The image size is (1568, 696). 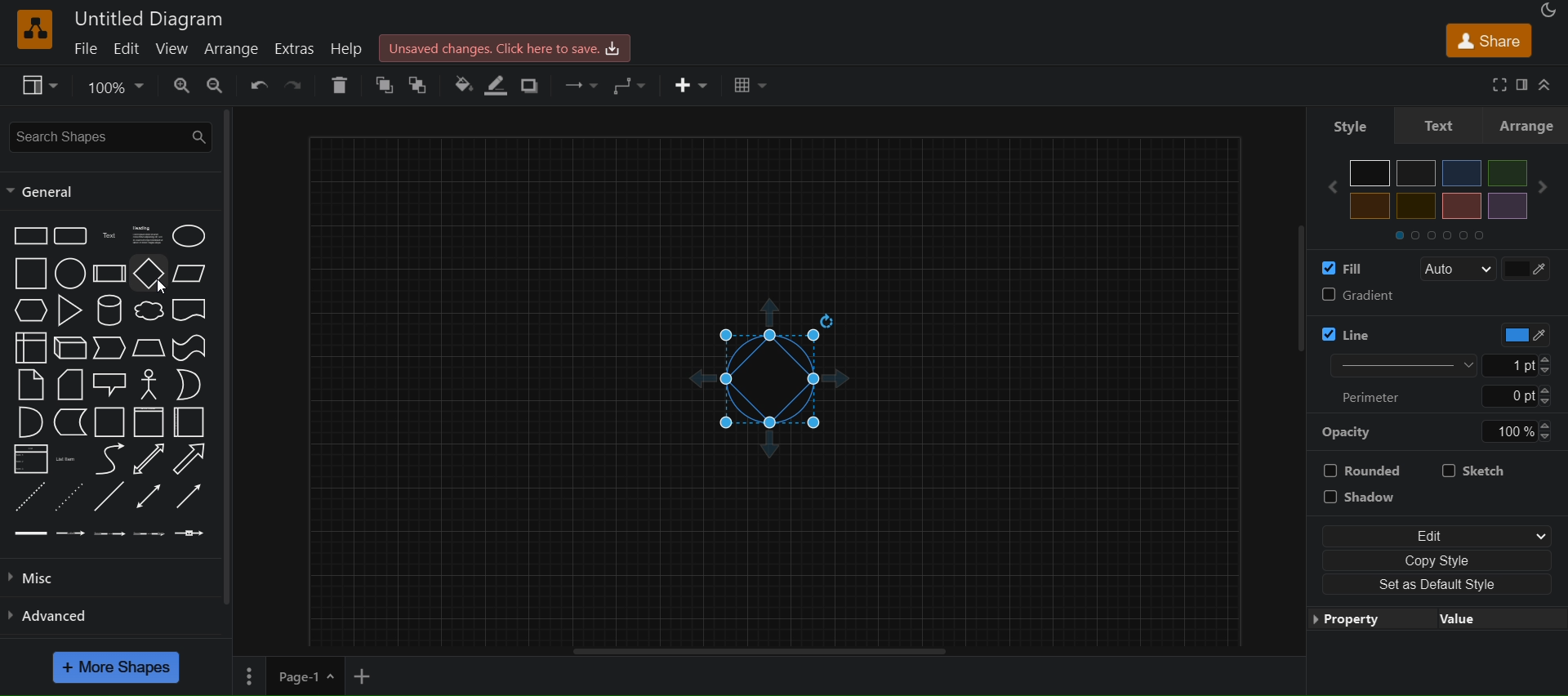 I want to click on extras, so click(x=299, y=48).